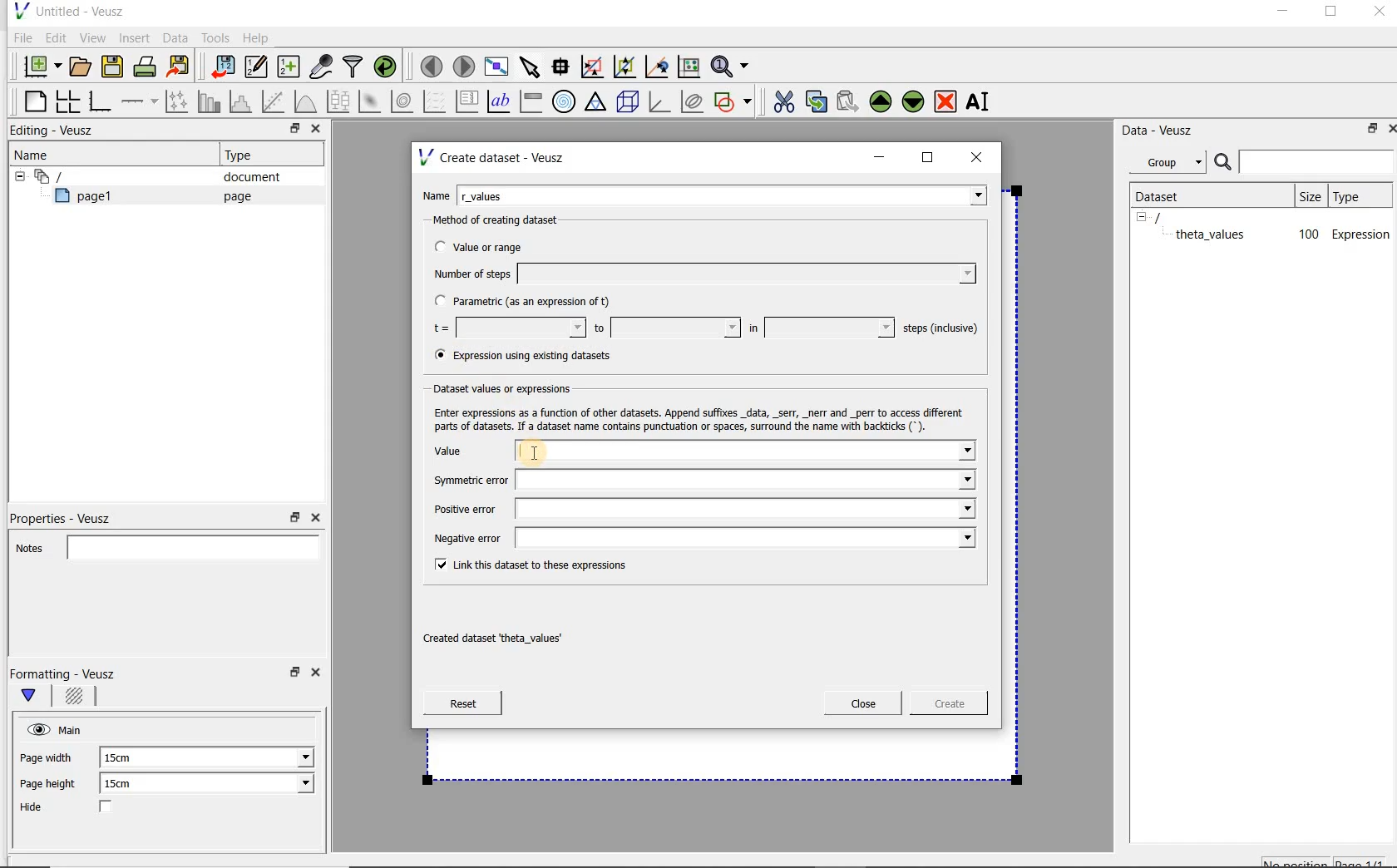 The image size is (1397, 868). Describe the element at coordinates (234, 196) in the screenshot. I see `page` at that location.